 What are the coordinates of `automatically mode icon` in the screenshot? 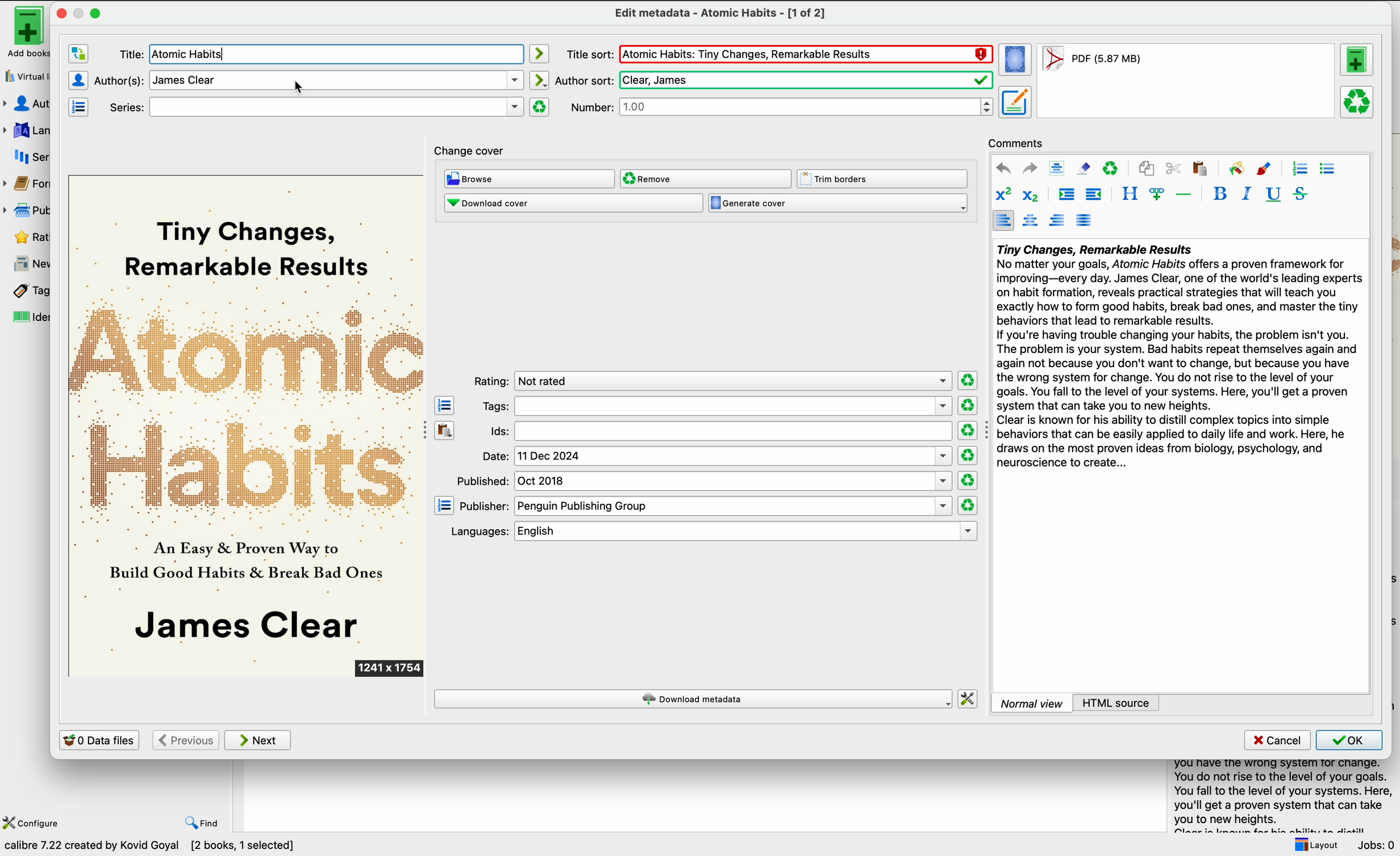 It's located at (541, 80).